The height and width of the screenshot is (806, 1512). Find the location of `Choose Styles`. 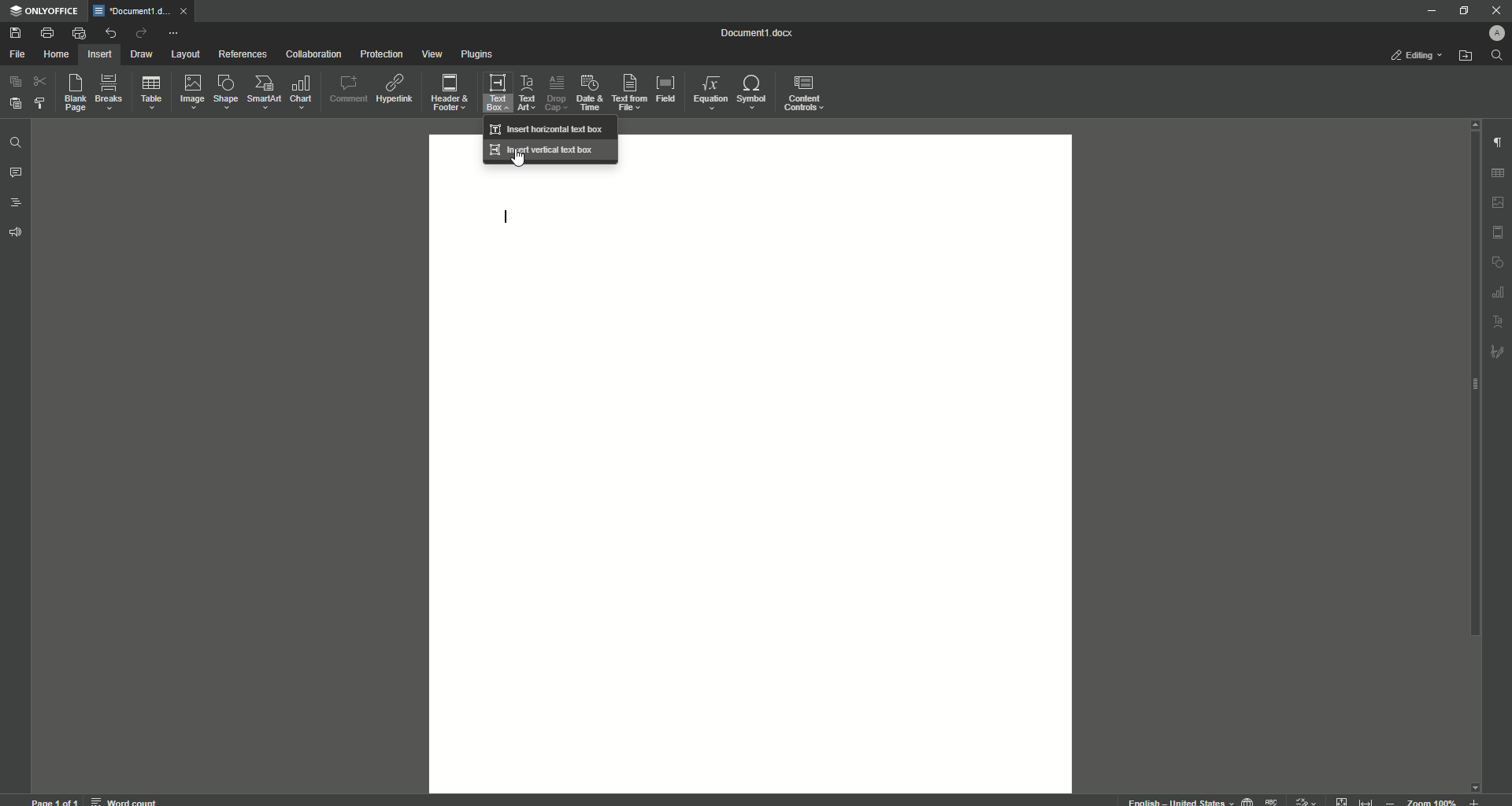

Choose Styles is located at coordinates (41, 102).